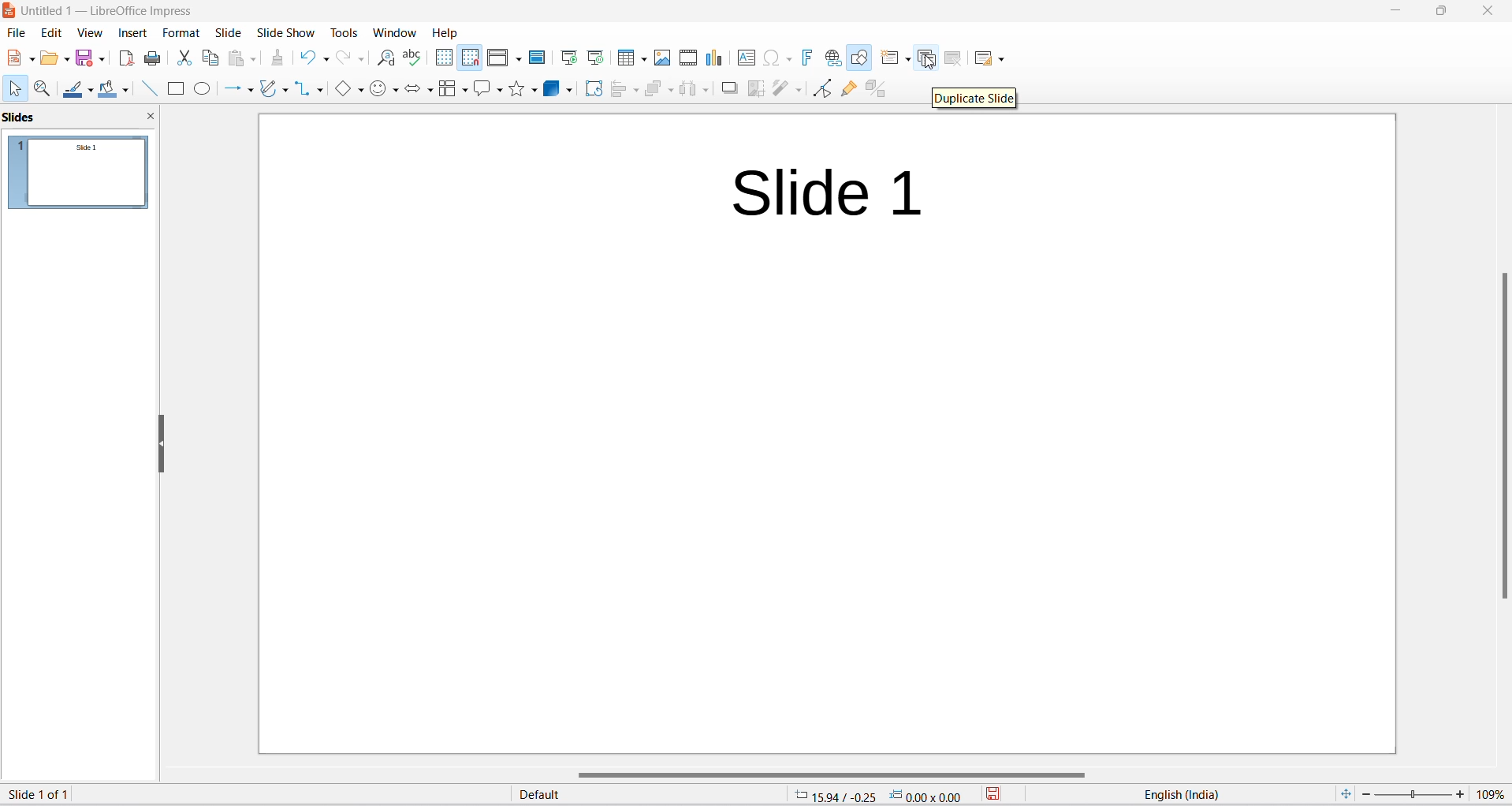  What do you see at coordinates (51, 793) in the screenshot?
I see `slide number` at bounding box center [51, 793].